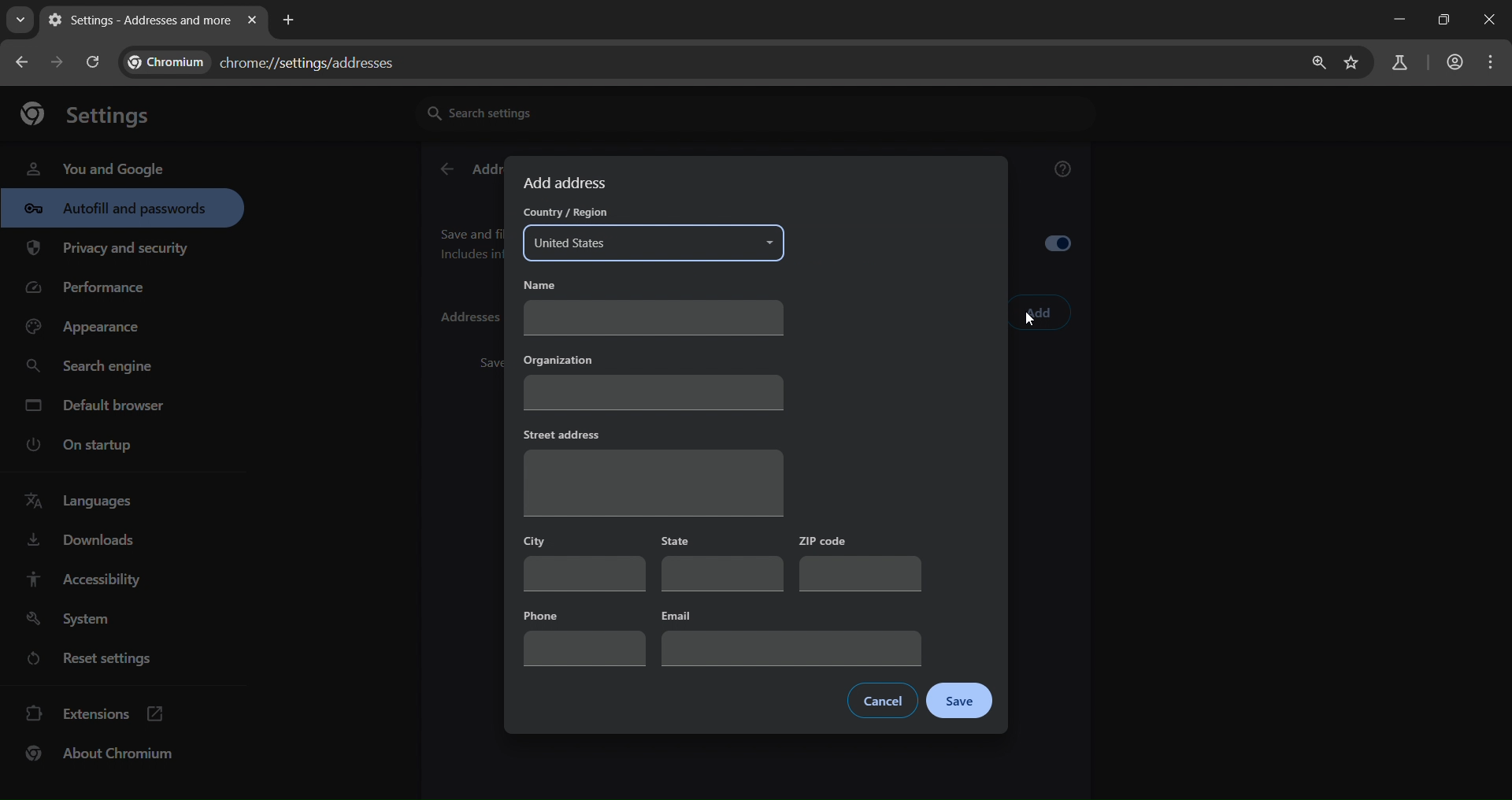 This screenshot has height=800, width=1512. Describe the element at coordinates (136, 20) in the screenshot. I see `current page` at that location.